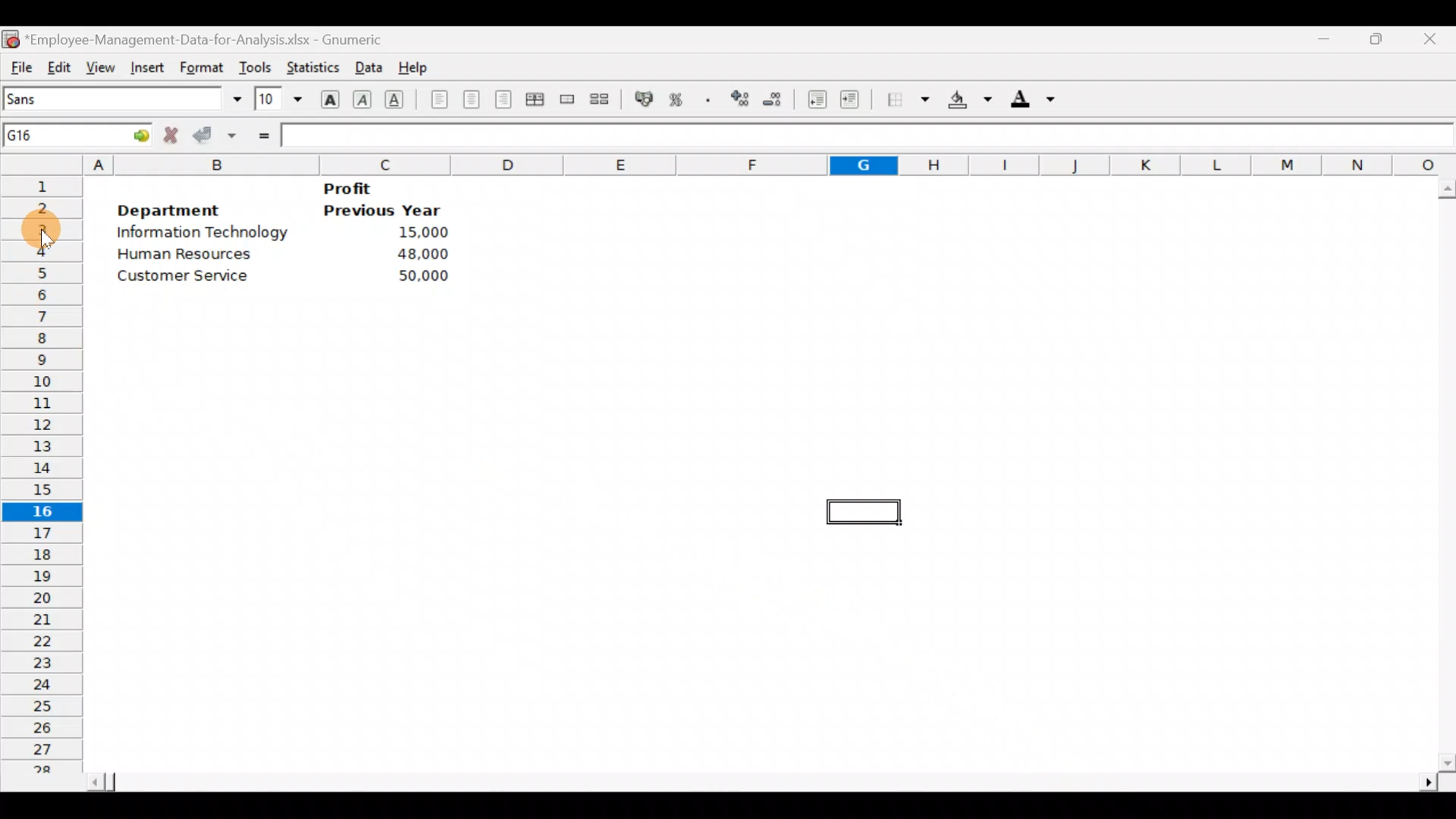 The width and height of the screenshot is (1456, 819). I want to click on Cancel change, so click(174, 134).